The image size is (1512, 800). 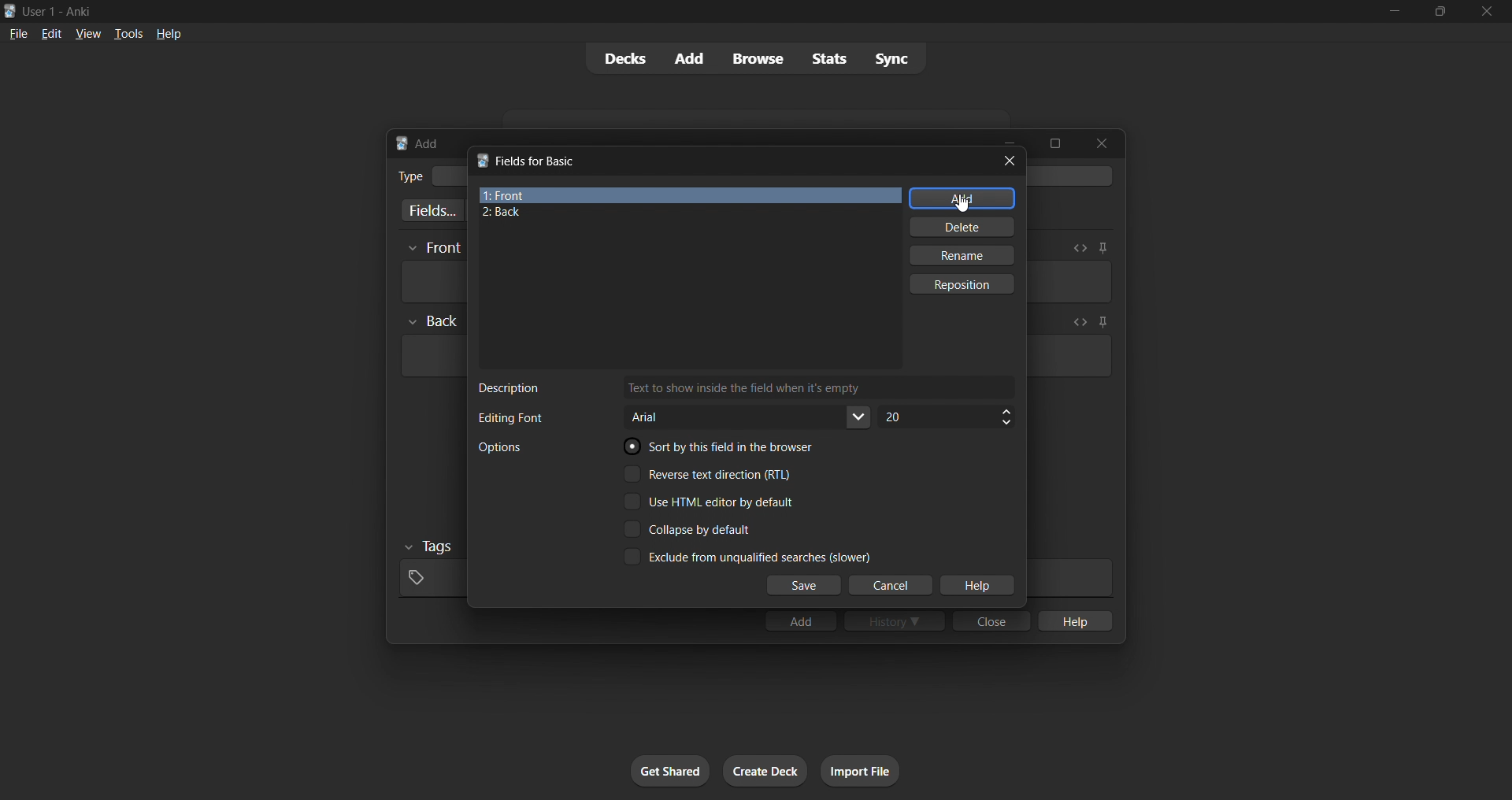 I want to click on close, so click(x=1010, y=161).